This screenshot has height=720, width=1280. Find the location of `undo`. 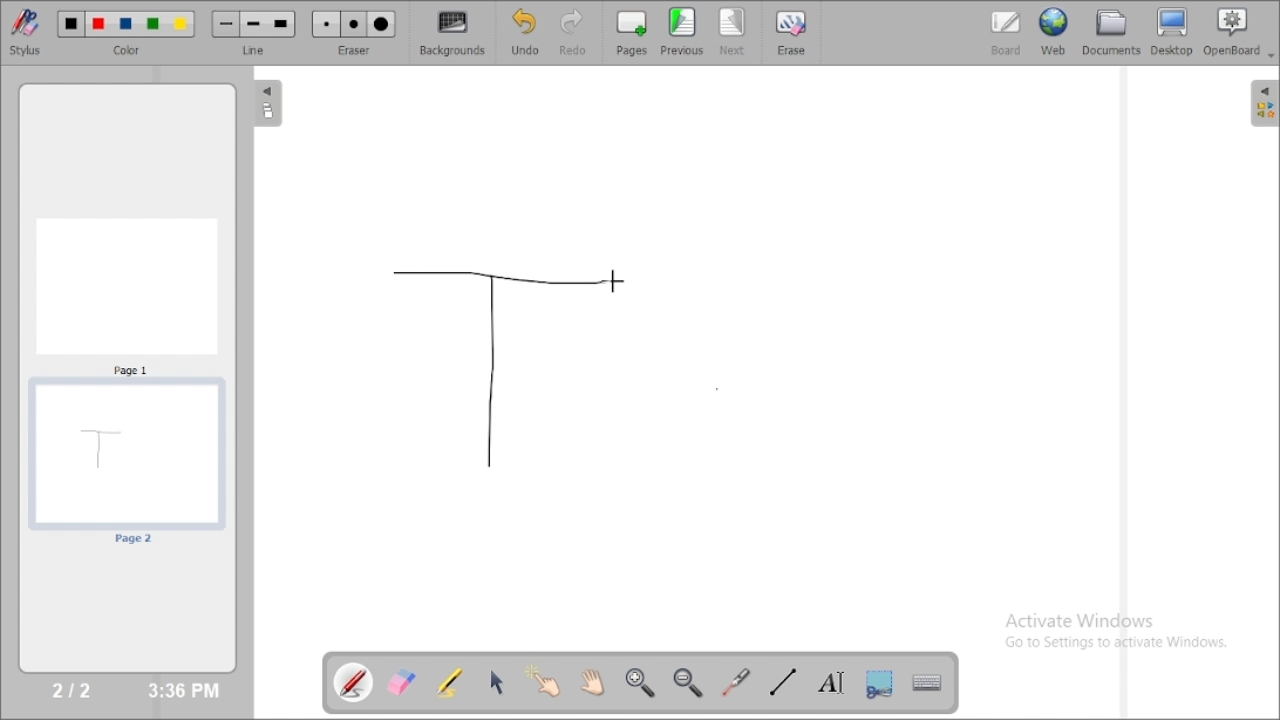

undo is located at coordinates (524, 32).